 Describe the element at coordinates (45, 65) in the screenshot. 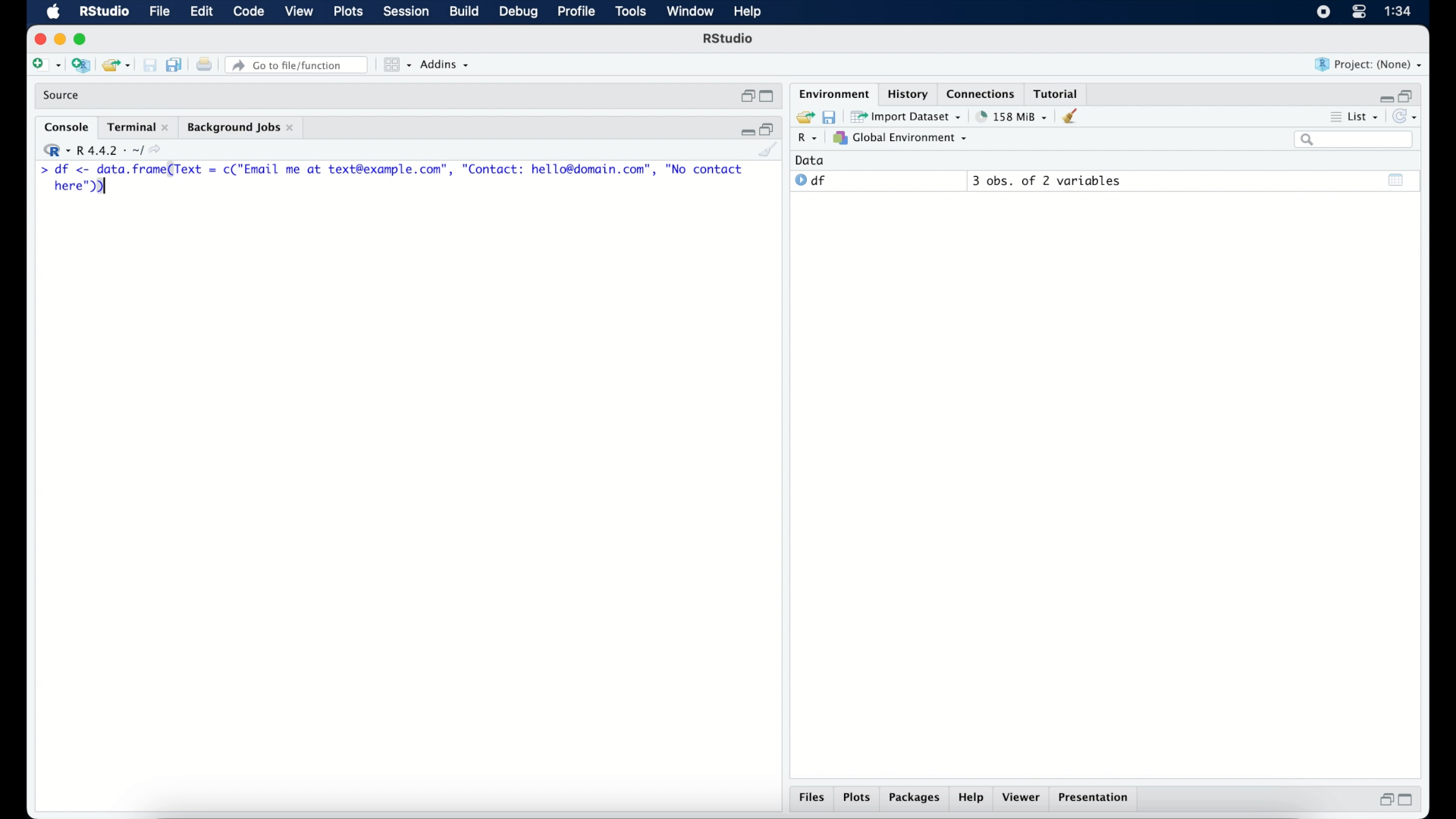

I see `create new file` at that location.